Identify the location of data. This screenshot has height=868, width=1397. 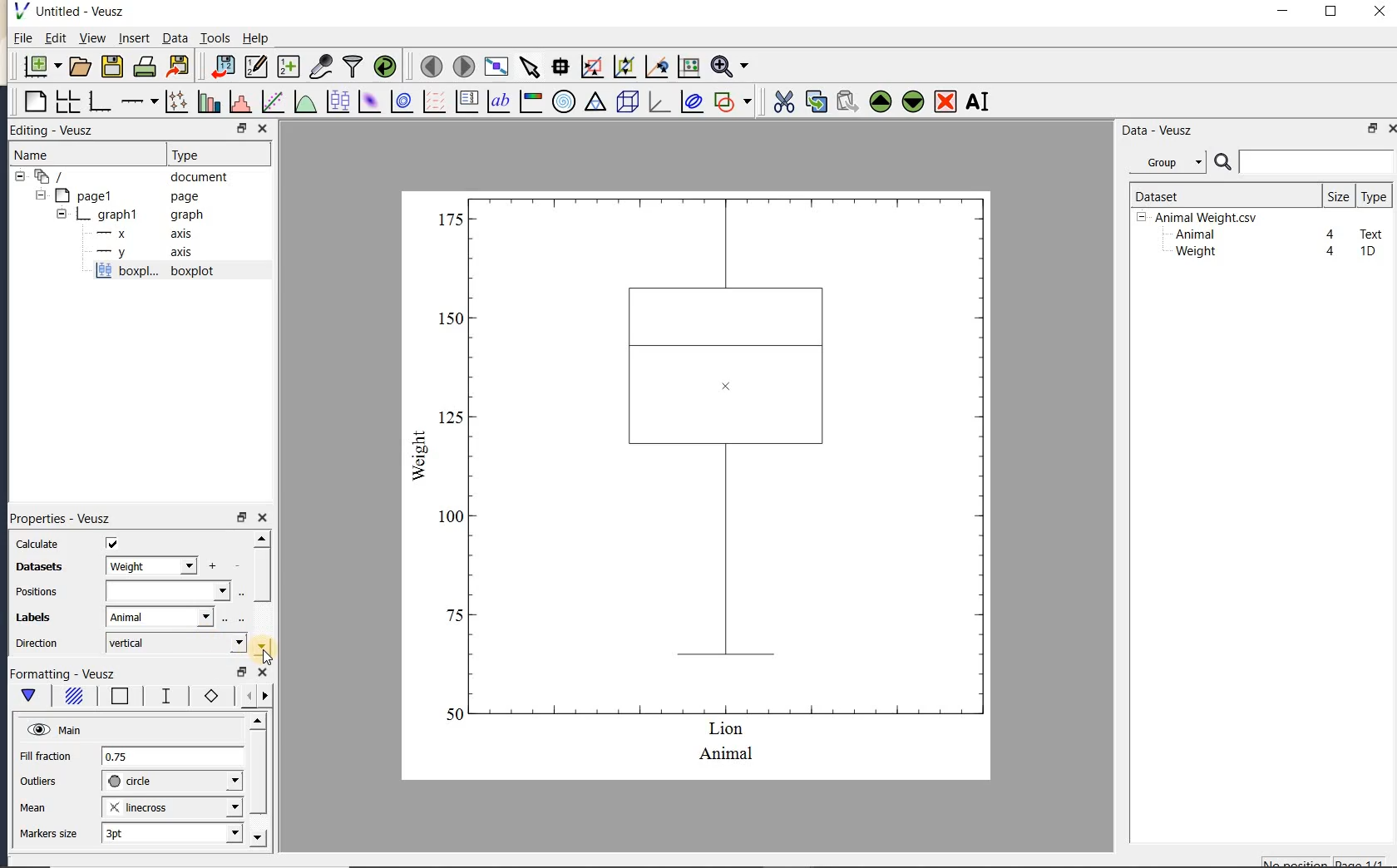
(150, 565).